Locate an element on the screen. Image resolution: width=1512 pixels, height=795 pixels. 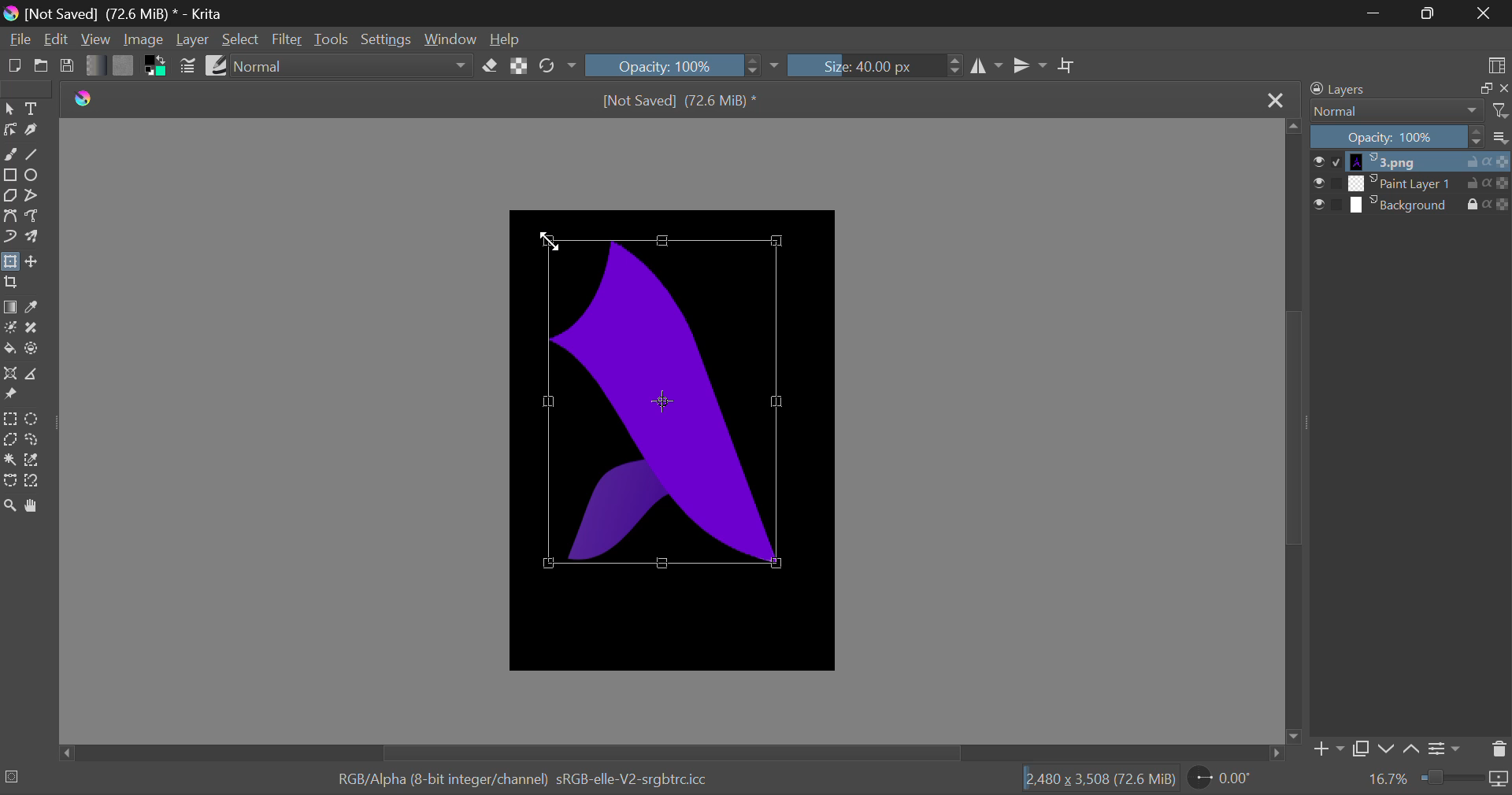
Blending Modes is located at coordinates (353, 65).